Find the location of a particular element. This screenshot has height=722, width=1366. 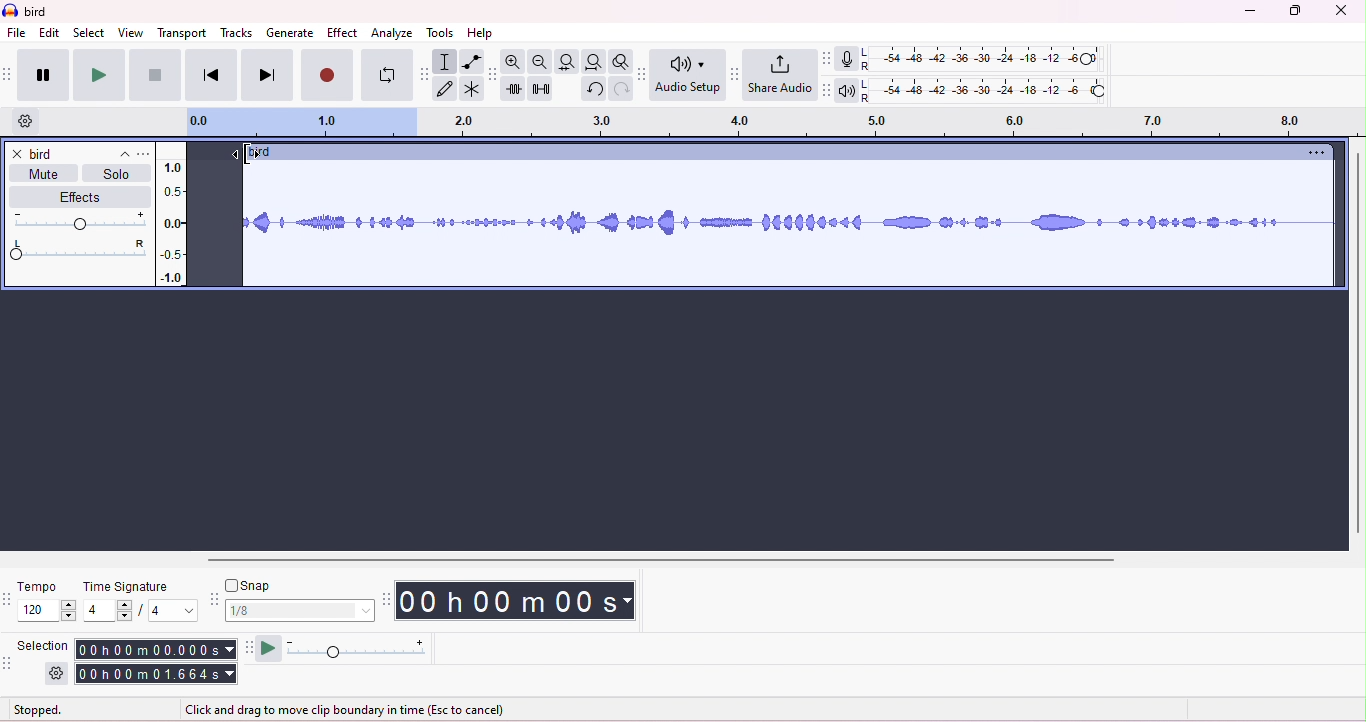

dragged is located at coordinates (218, 222).